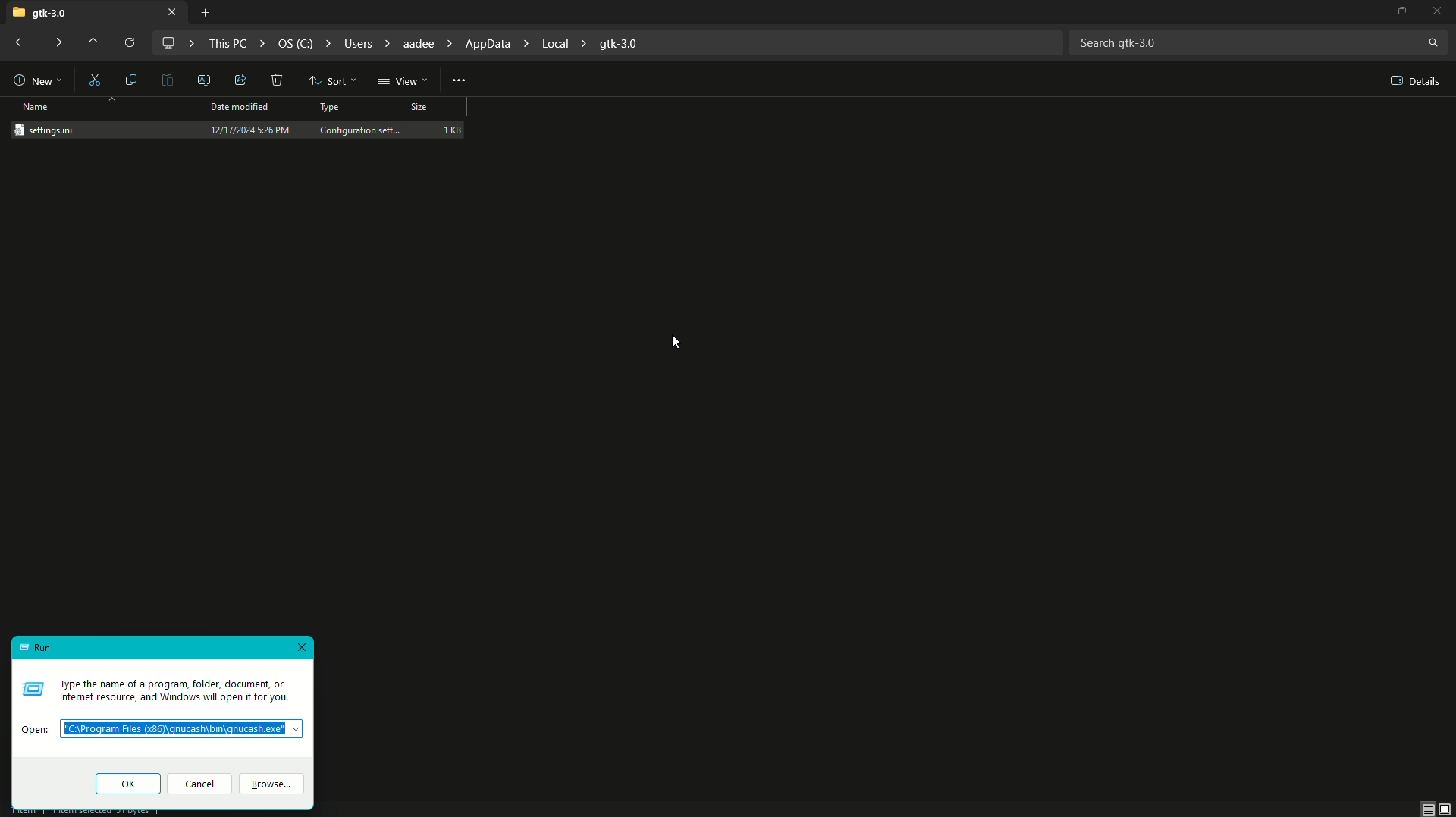  Describe the element at coordinates (39, 107) in the screenshot. I see `Name` at that location.